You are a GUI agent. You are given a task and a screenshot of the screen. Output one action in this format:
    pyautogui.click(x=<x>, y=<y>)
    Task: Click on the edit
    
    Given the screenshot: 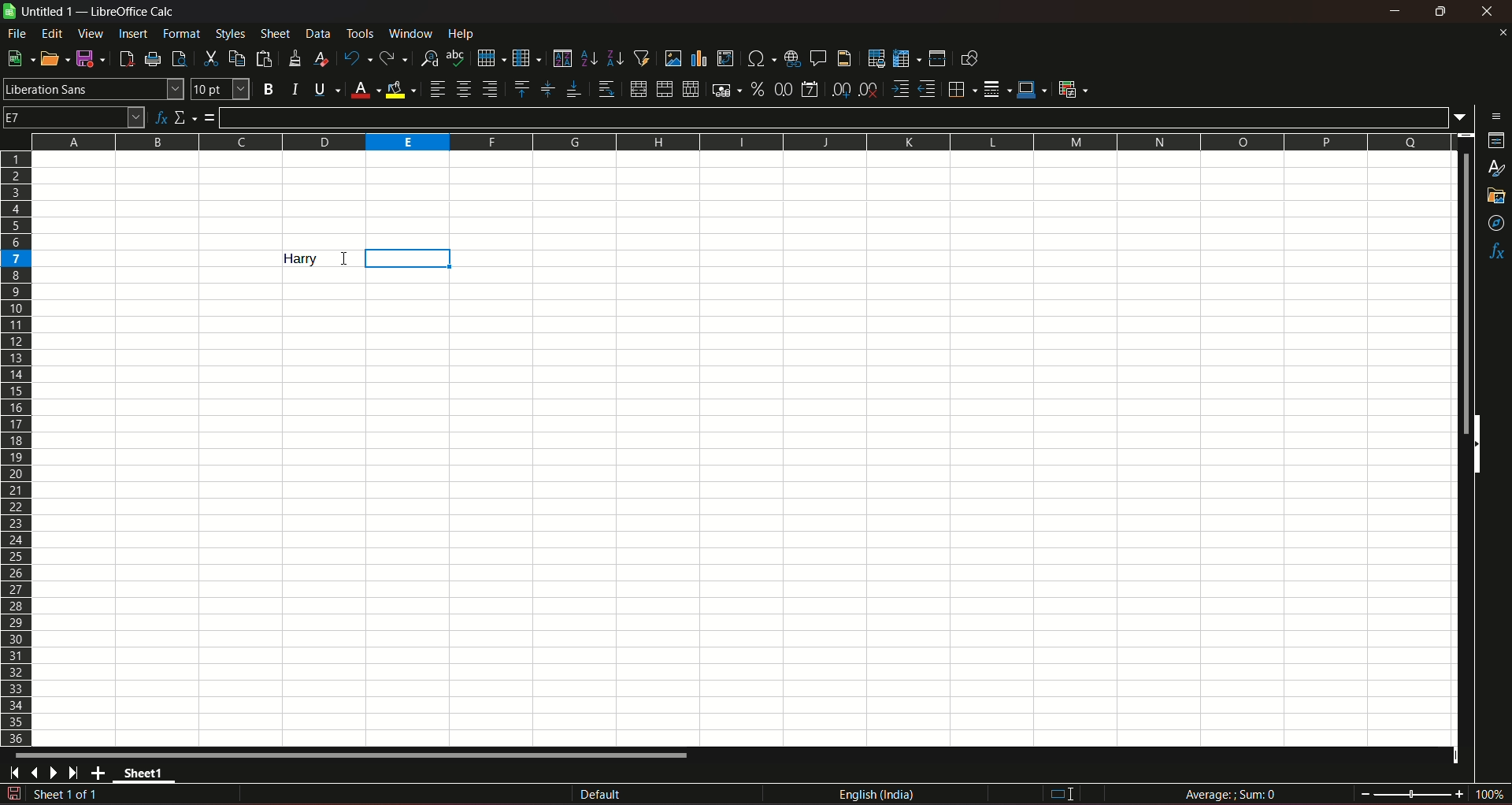 What is the action you would take?
    pyautogui.click(x=53, y=33)
    